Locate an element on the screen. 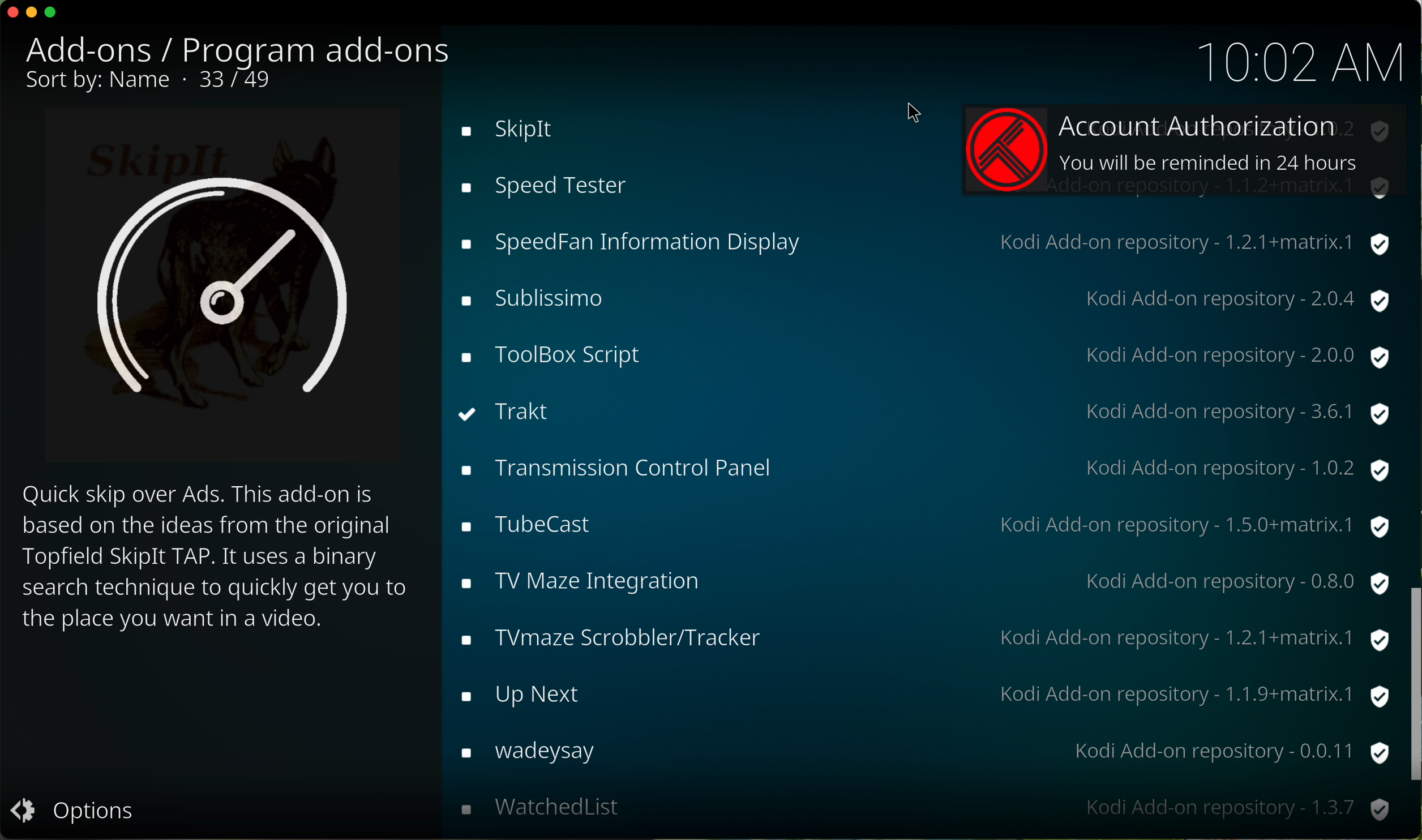 The width and height of the screenshot is (1422, 840). Trakt installed is located at coordinates (509, 415).